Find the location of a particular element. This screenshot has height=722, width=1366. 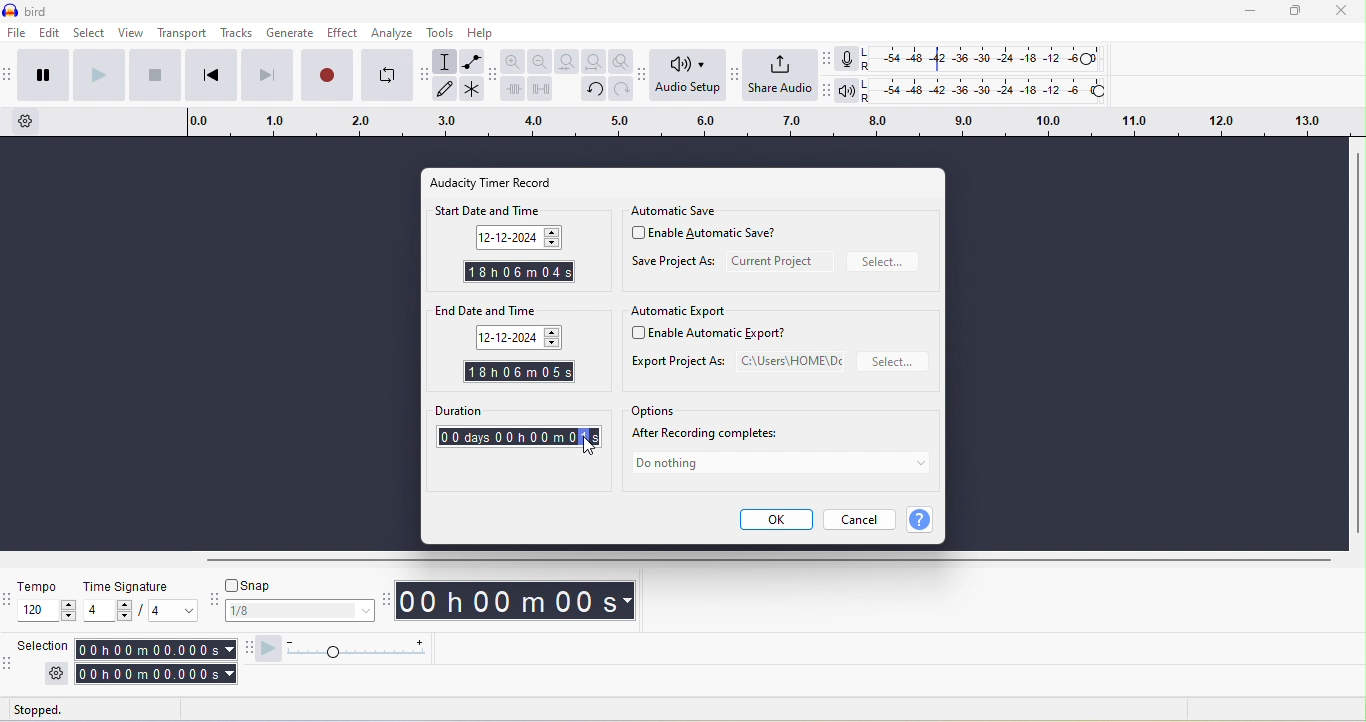

audacity time record is located at coordinates (502, 182).